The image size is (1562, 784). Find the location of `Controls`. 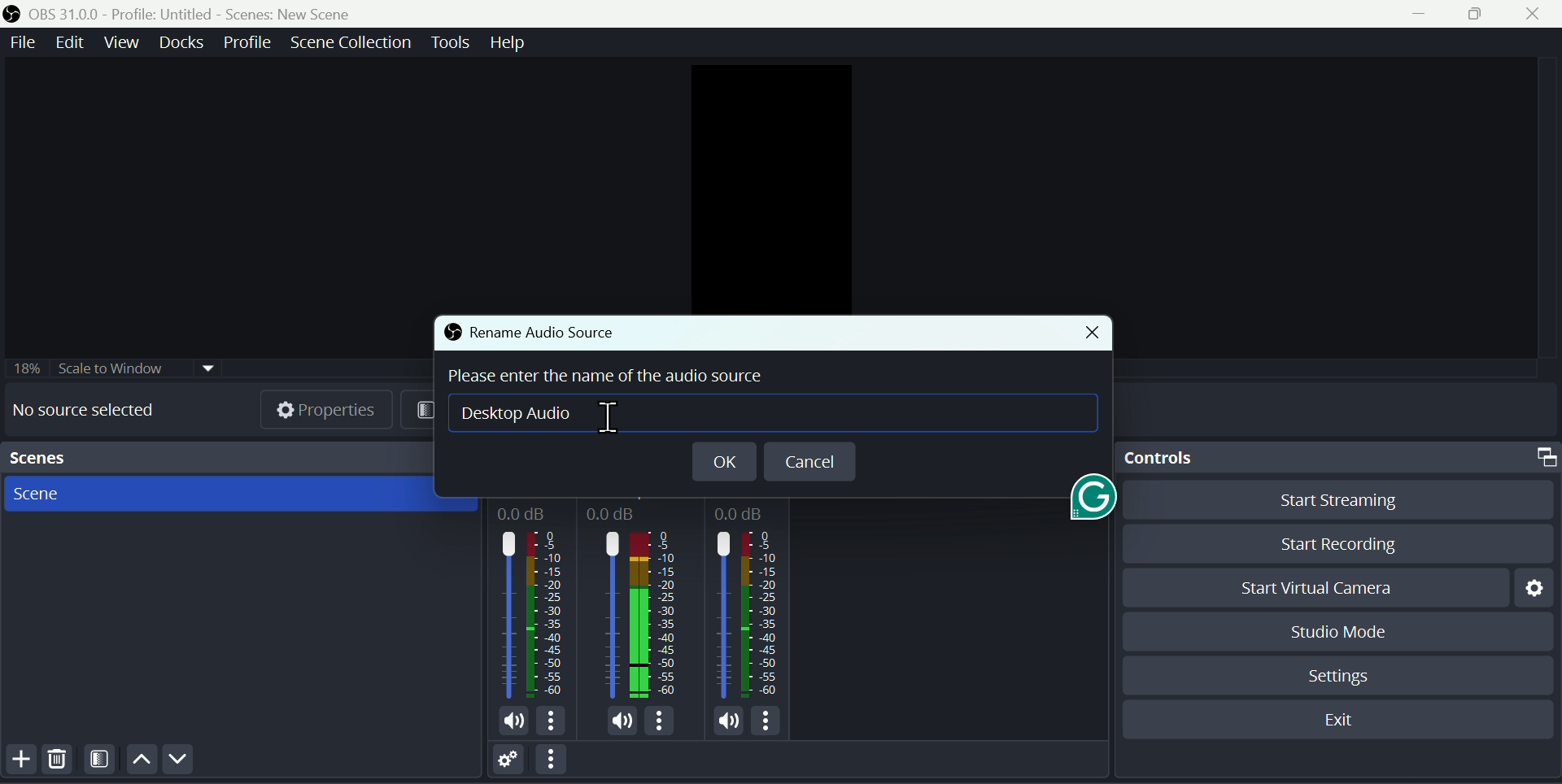

Controls is located at coordinates (1338, 459).